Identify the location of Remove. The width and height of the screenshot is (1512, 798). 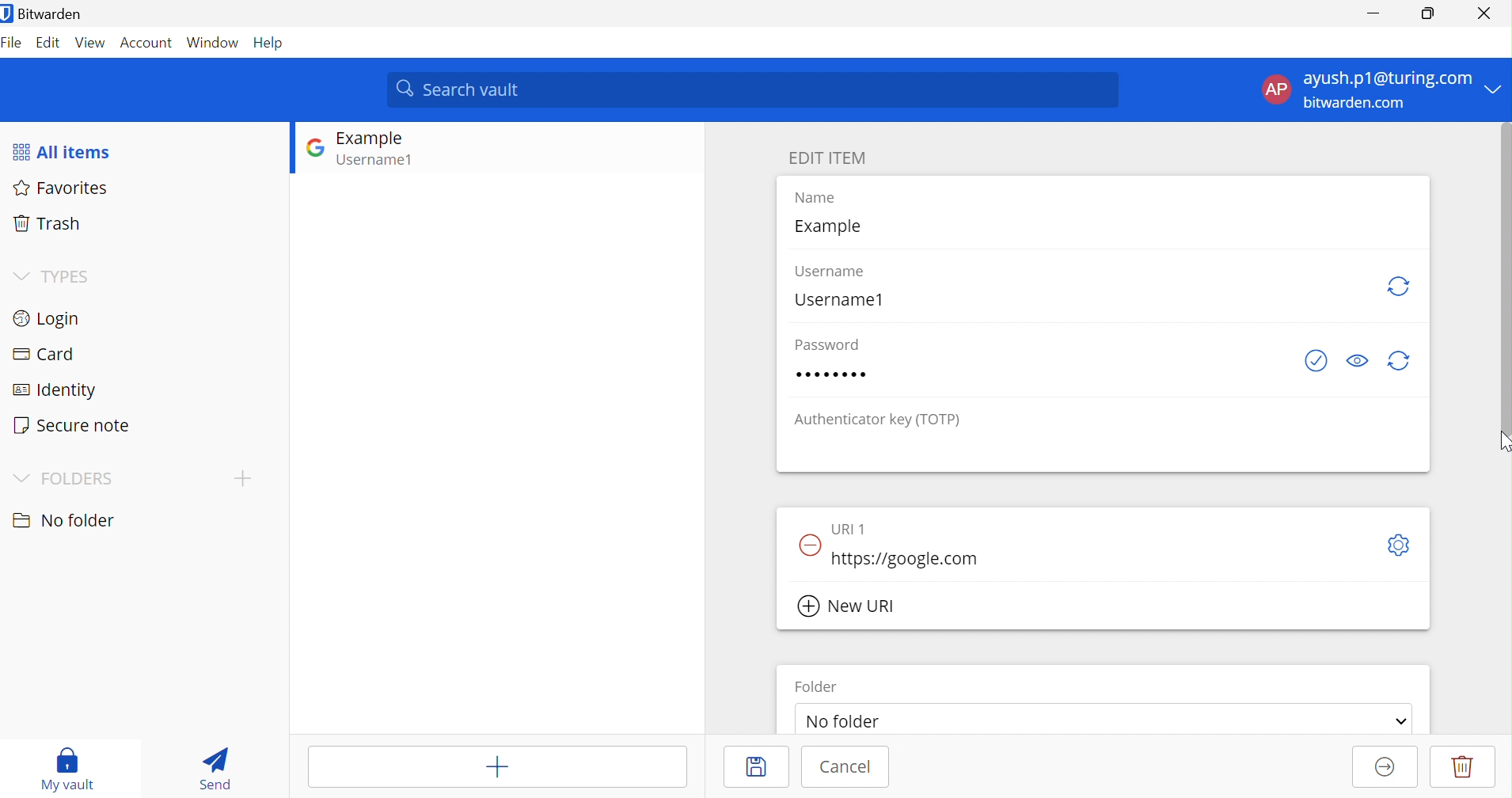
(808, 544).